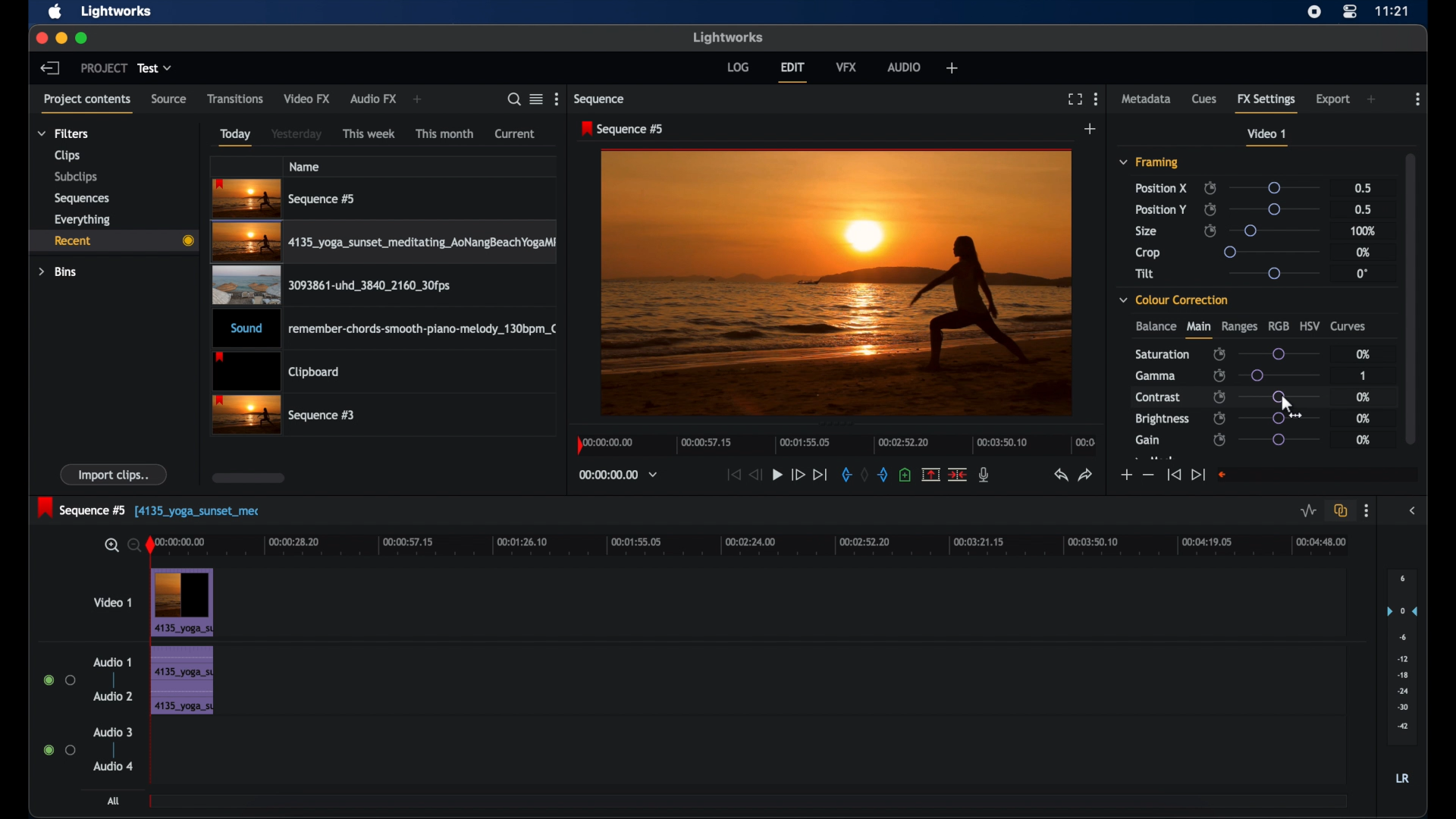  I want to click on remove the marked section, so click(930, 475).